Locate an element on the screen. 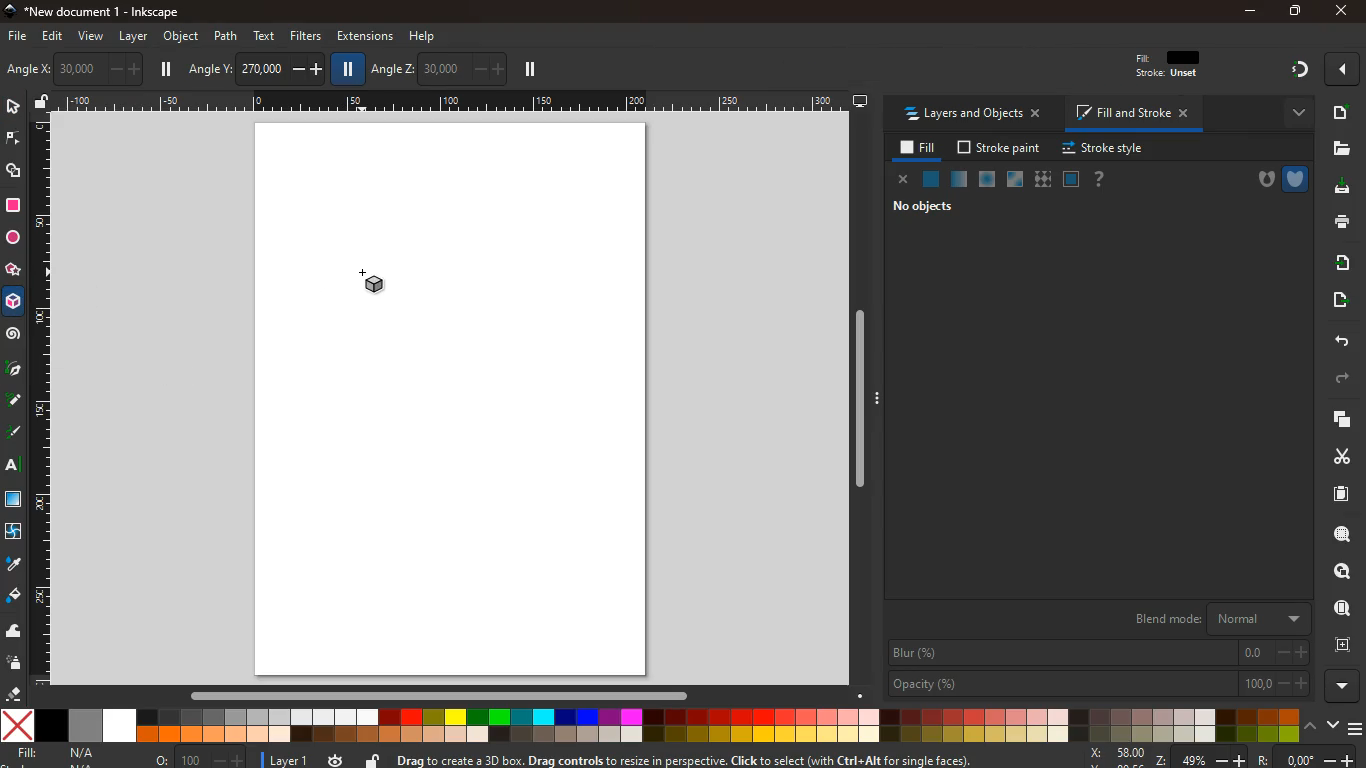 This screenshot has height=768, width=1366. gradient is located at coordinates (1301, 70).